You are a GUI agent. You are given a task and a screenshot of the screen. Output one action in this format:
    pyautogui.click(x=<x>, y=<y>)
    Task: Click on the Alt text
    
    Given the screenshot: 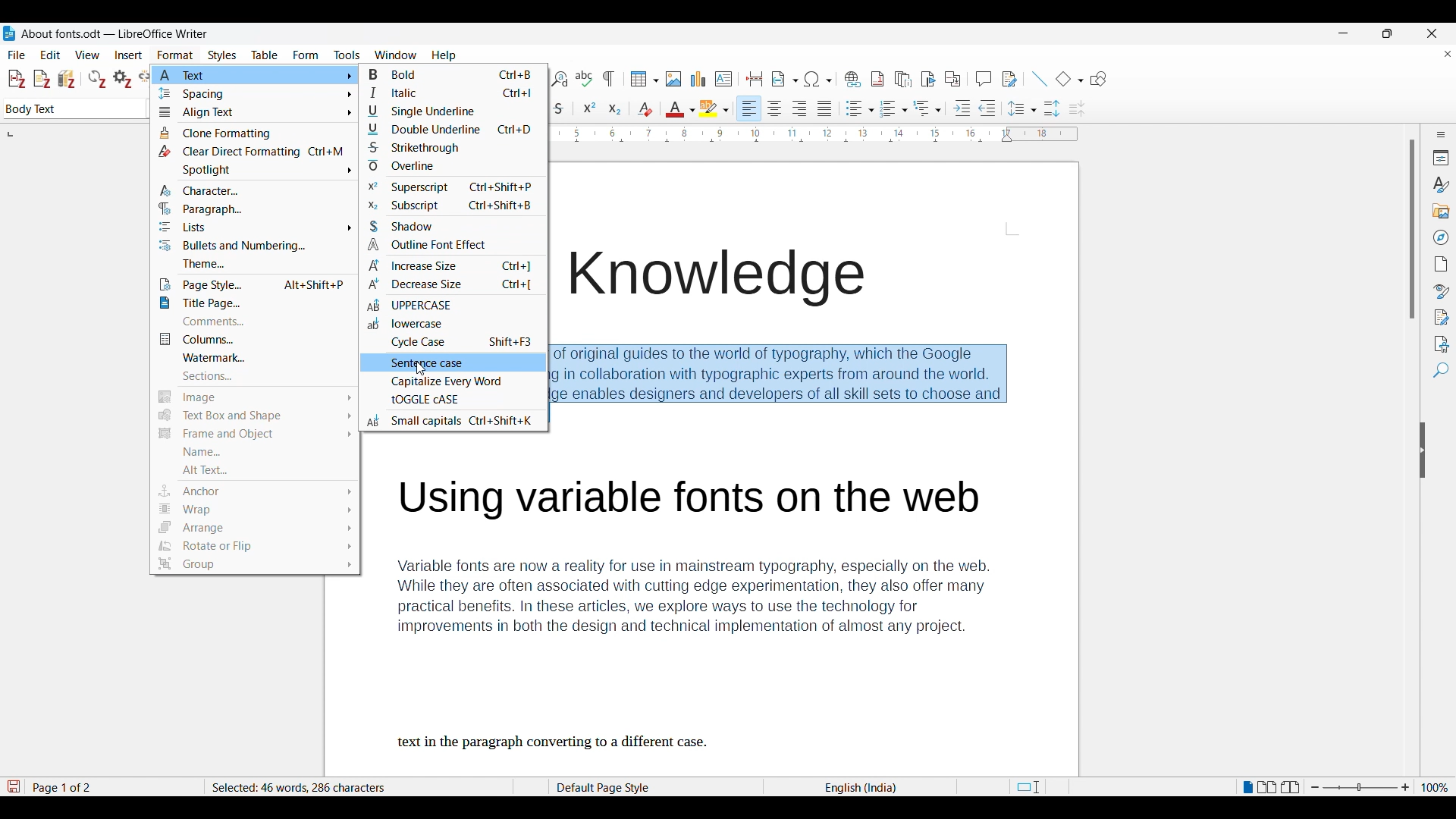 What is the action you would take?
    pyautogui.click(x=258, y=470)
    